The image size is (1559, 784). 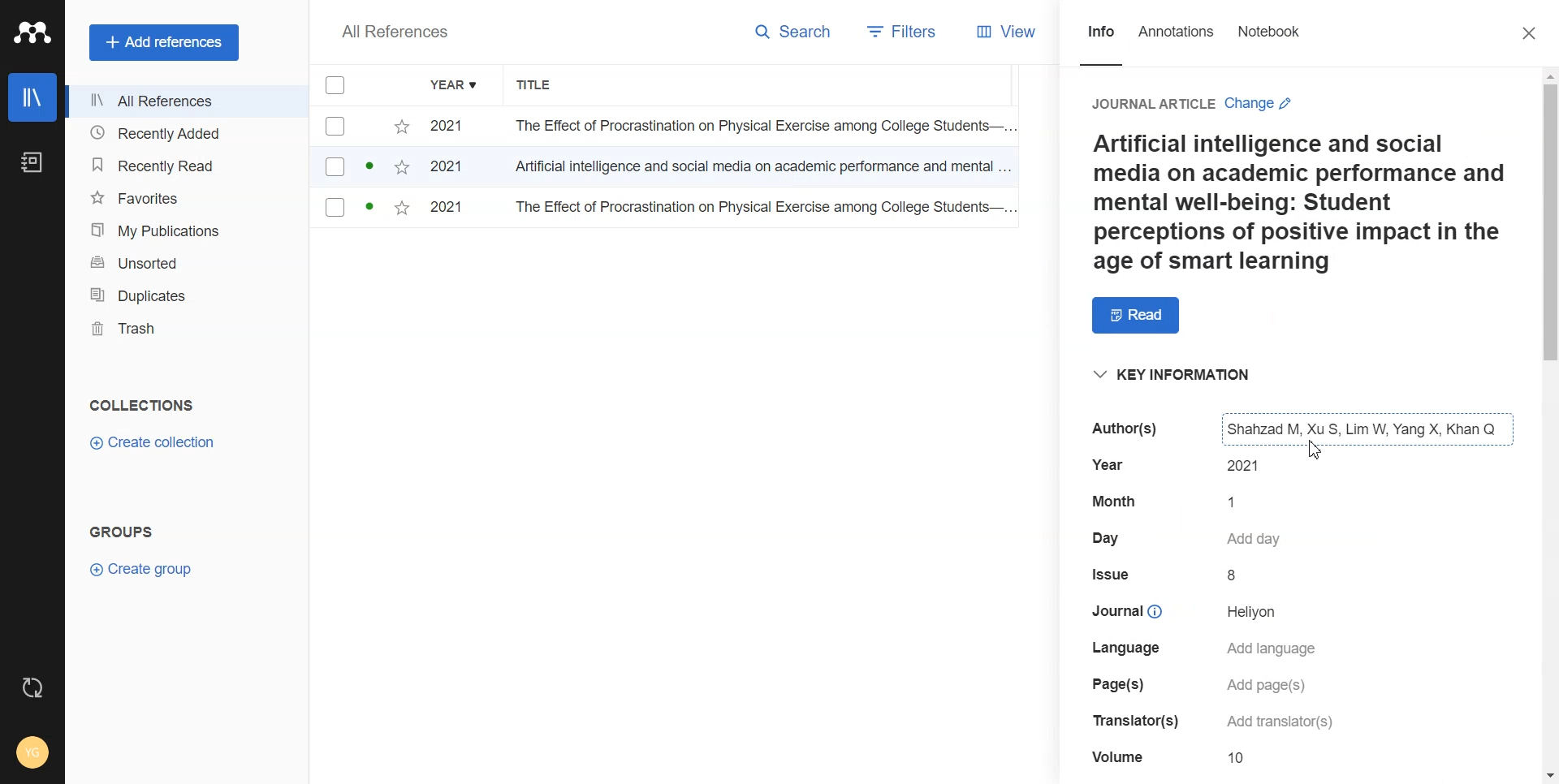 What do you see at coordinates (763, 170) in the screenshot?
I see `Artificial intelligence and social media on academic performance and mental...` at bounding box center [763, 170].